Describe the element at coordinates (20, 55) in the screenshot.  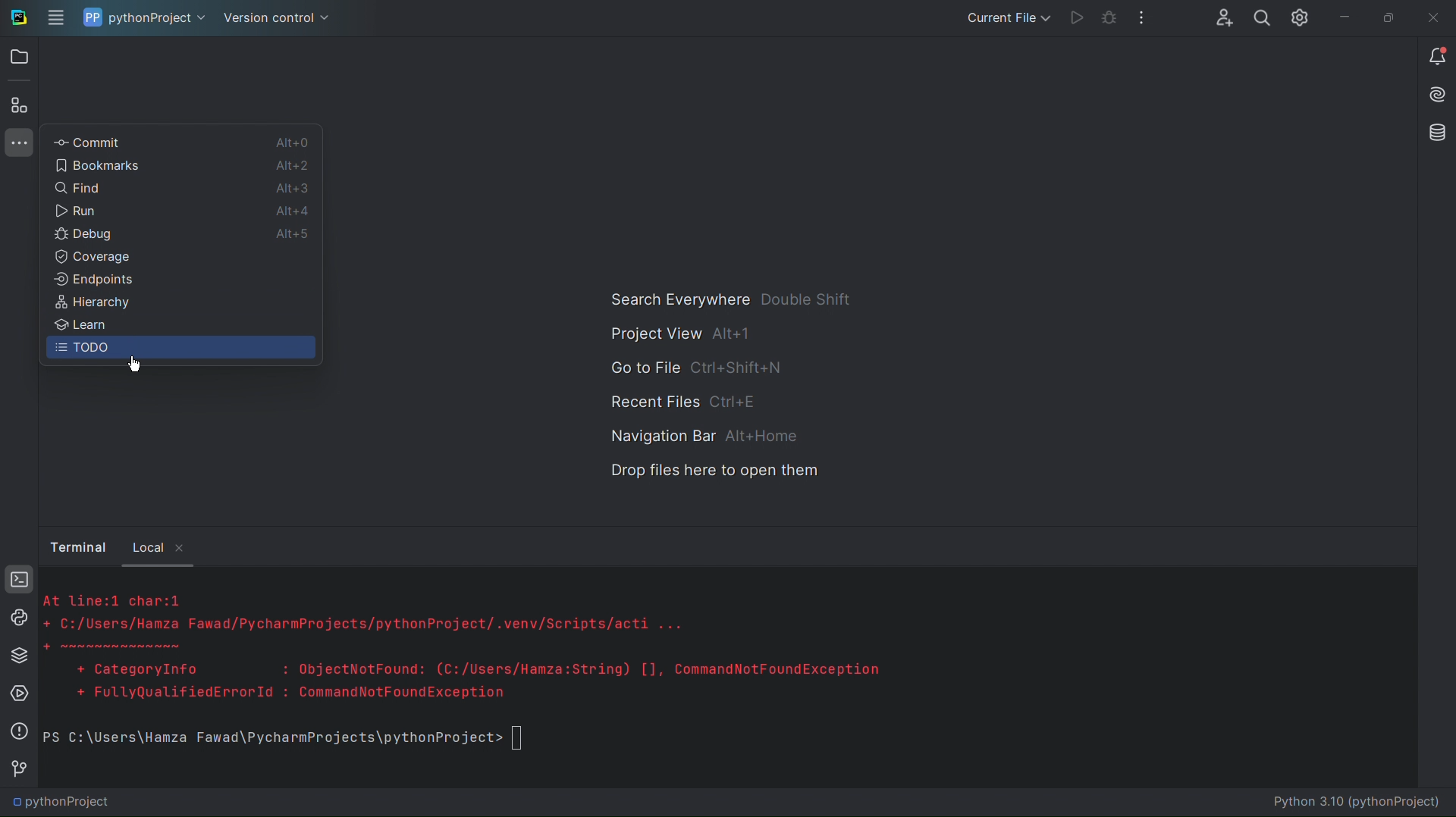
I see `Open` at that location.